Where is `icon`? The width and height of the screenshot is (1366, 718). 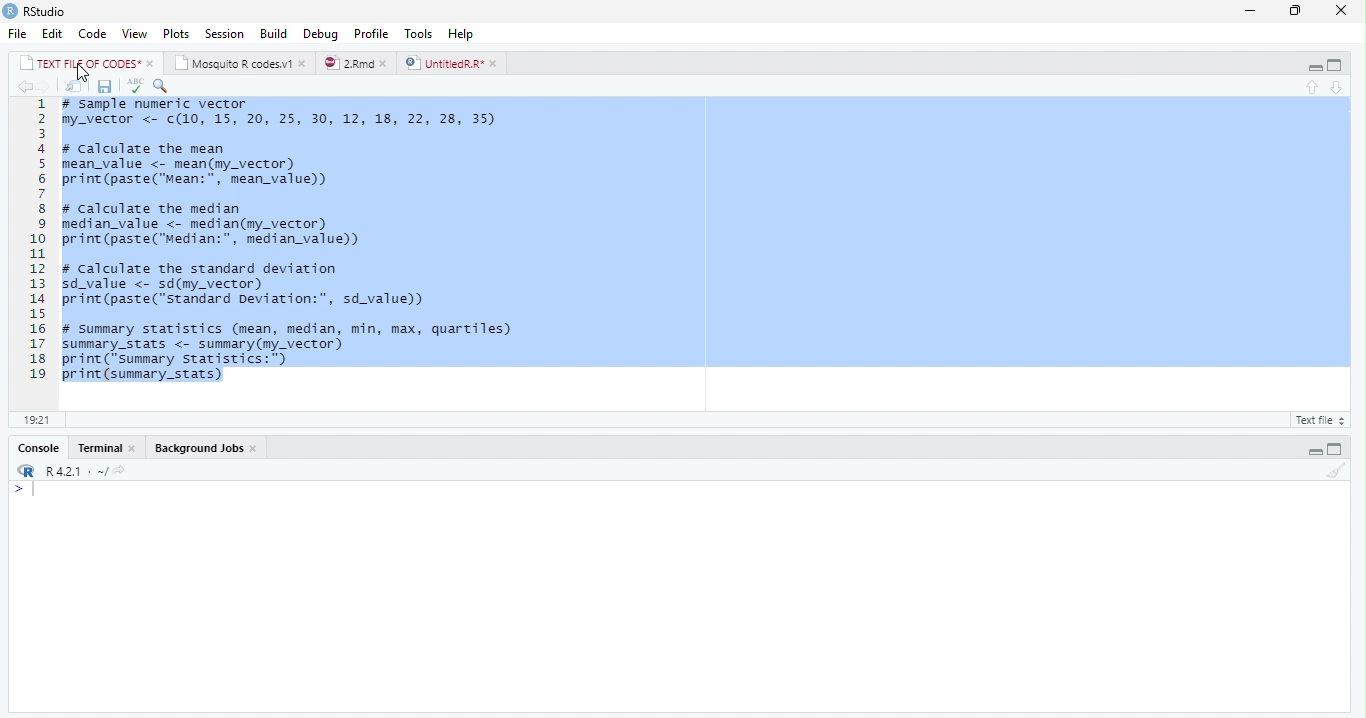
icon is located at coordinates (24, 472).